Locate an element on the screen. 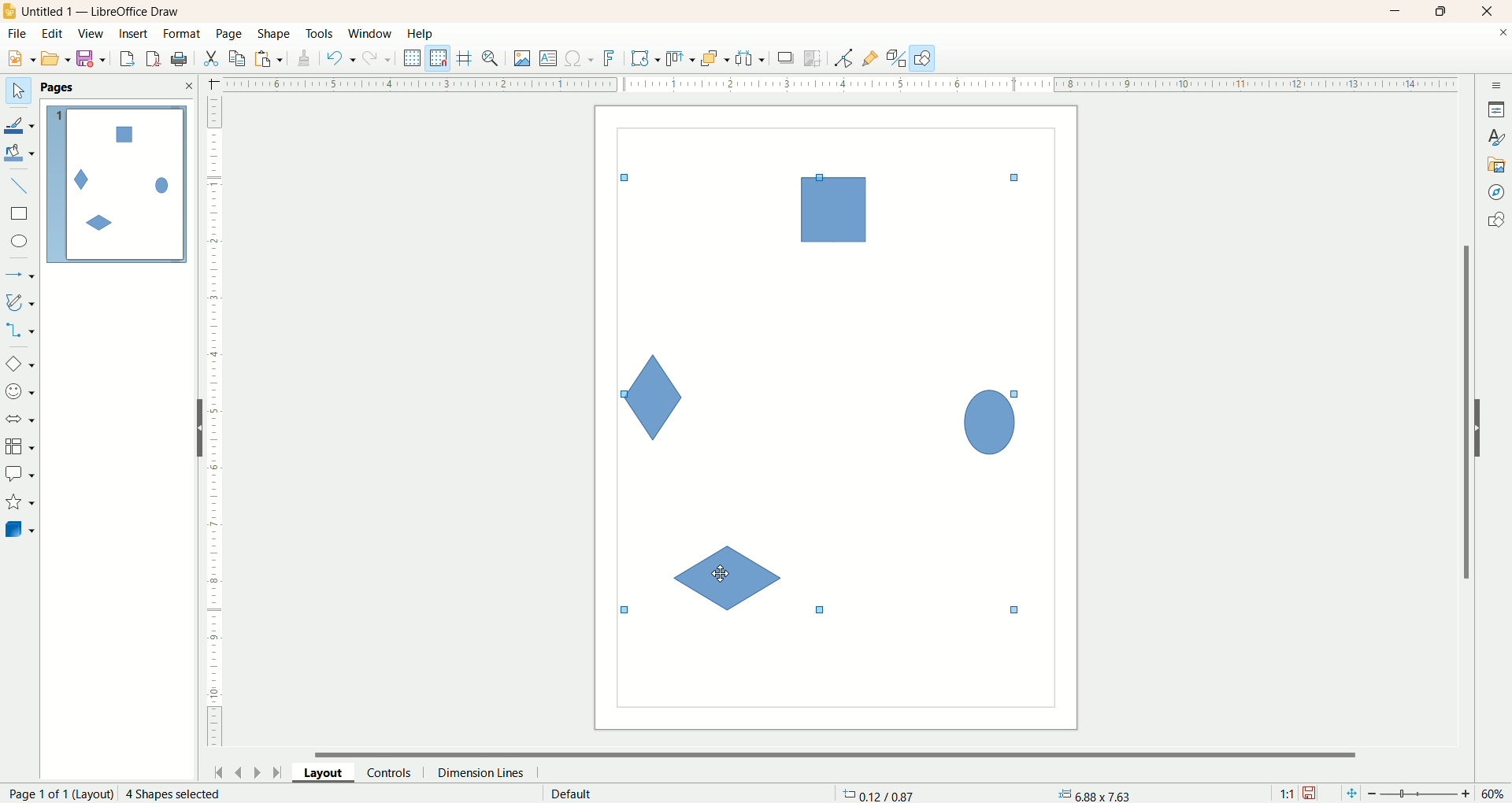 This screenshot has height=803, width=1512. shapes is located at coordinates (1495, 222).